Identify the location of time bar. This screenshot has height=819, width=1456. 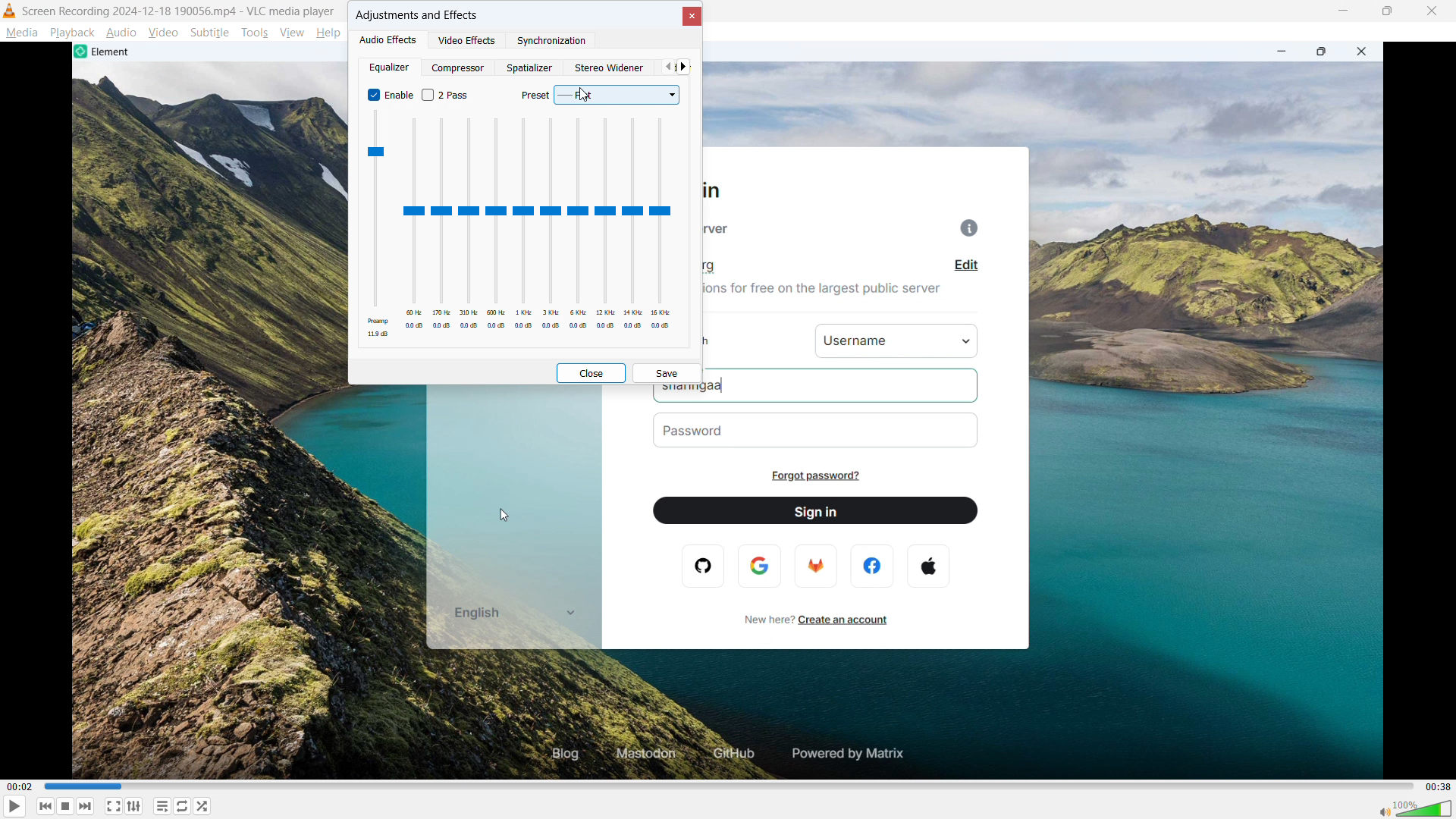
(726, 785).